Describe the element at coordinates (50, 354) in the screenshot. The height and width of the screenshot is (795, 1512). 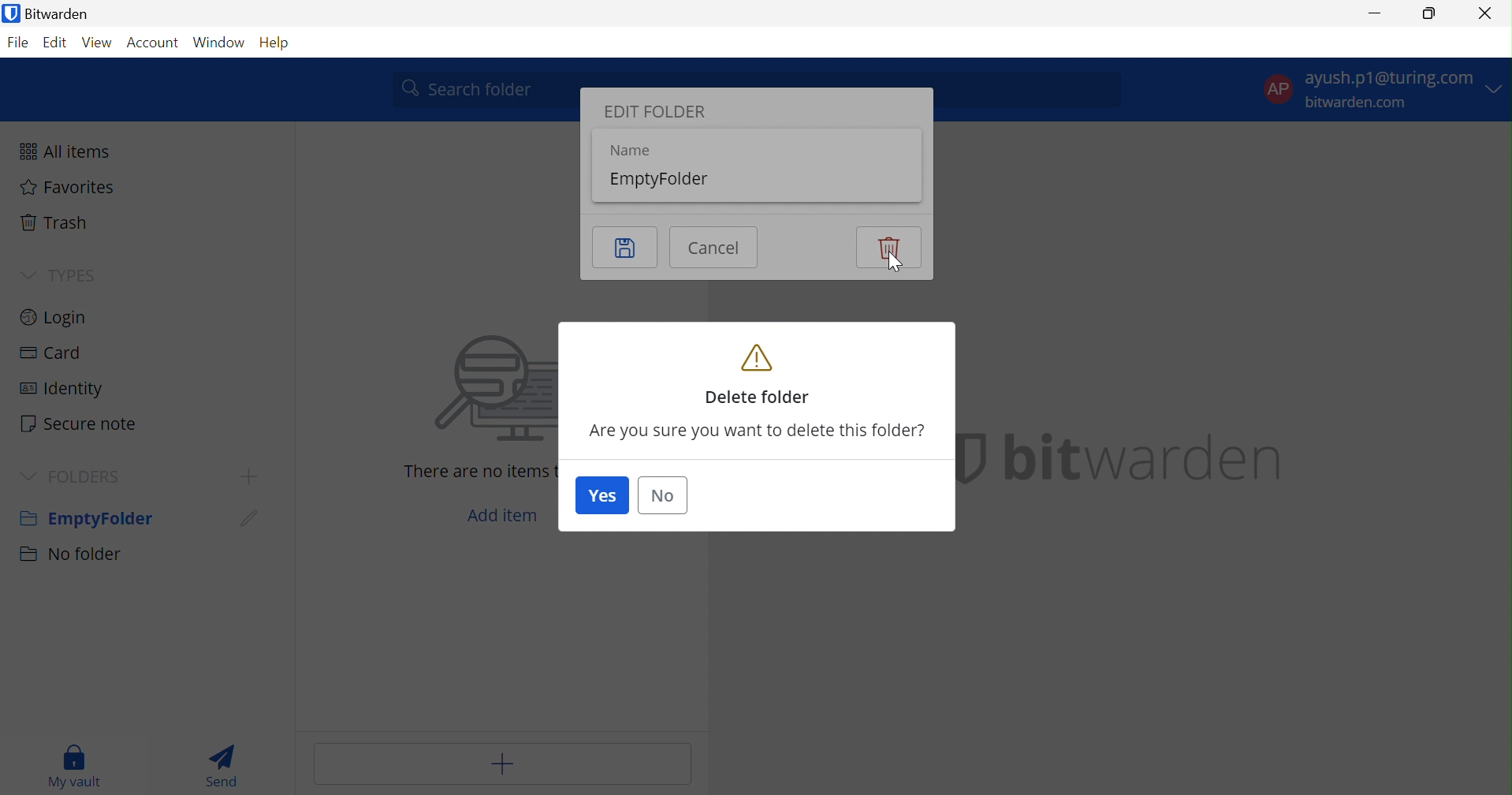
I see `Card` at that location.